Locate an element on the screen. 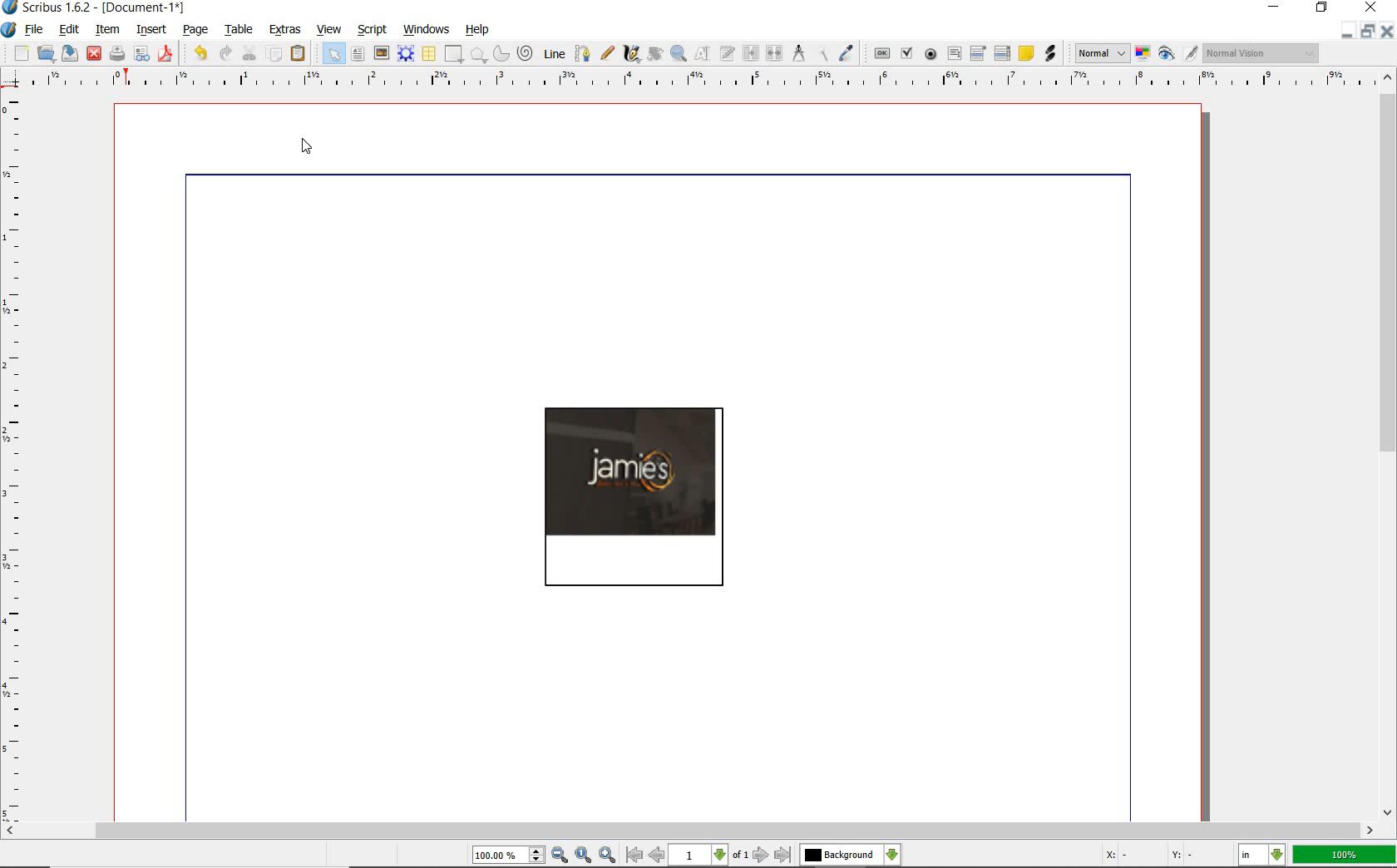 The image size is (1397, 868). Minimize is located at coordinates (1365, 31).